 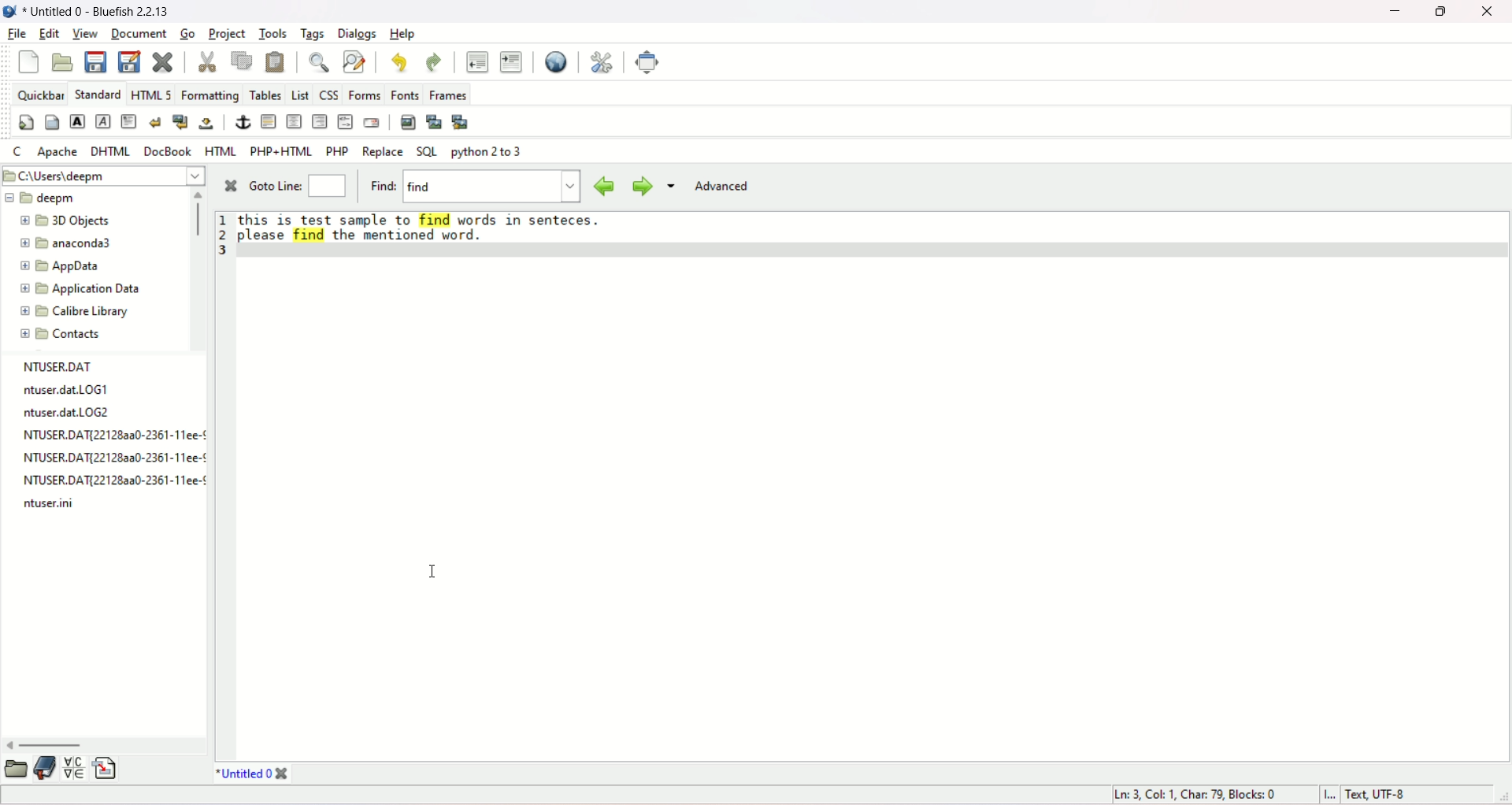 I want to click on anchor/hyperlink, so click(x=243, y=122).